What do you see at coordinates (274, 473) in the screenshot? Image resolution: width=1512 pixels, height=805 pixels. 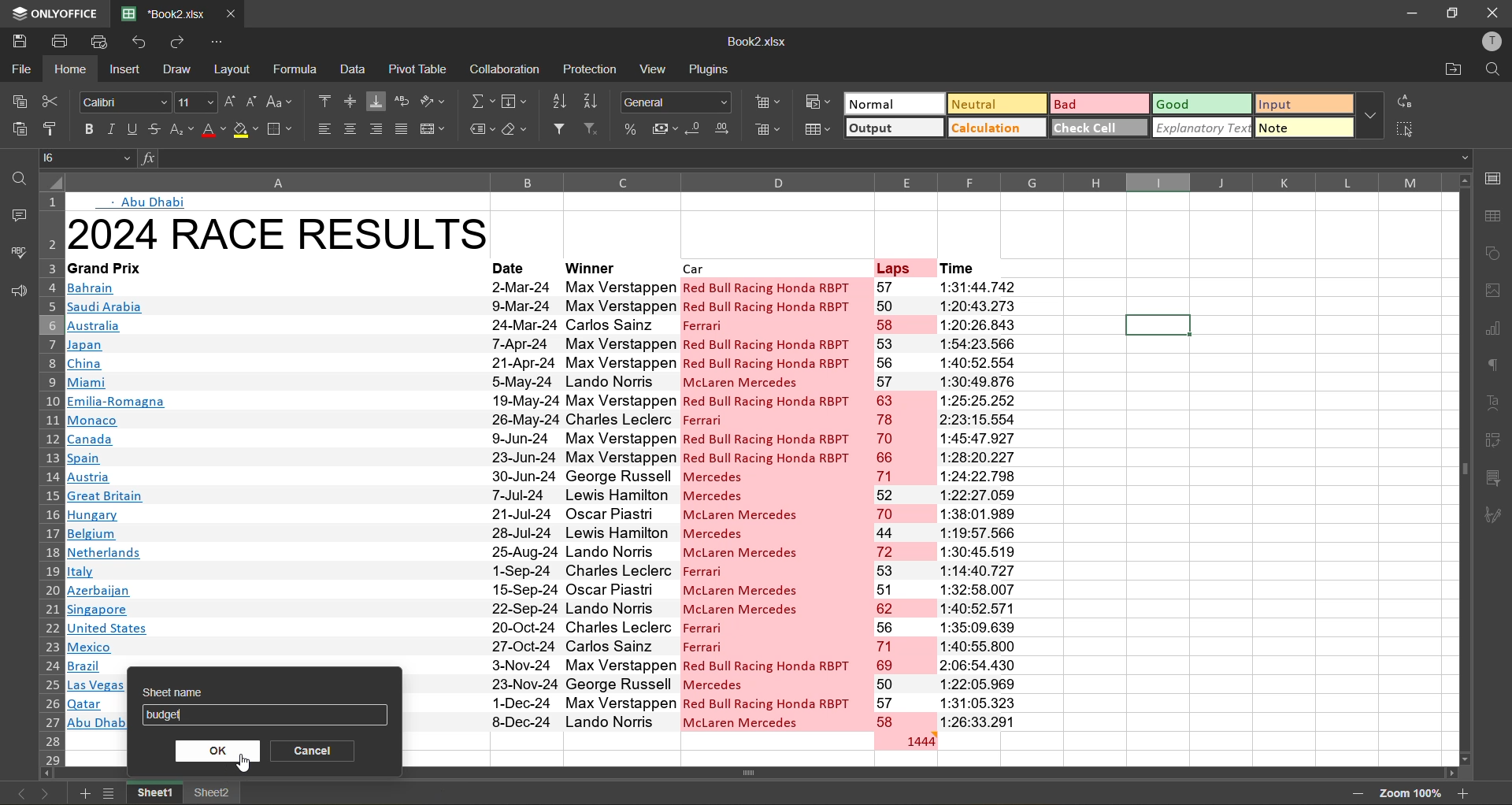 I see `country` at bounding box center [274, 473].